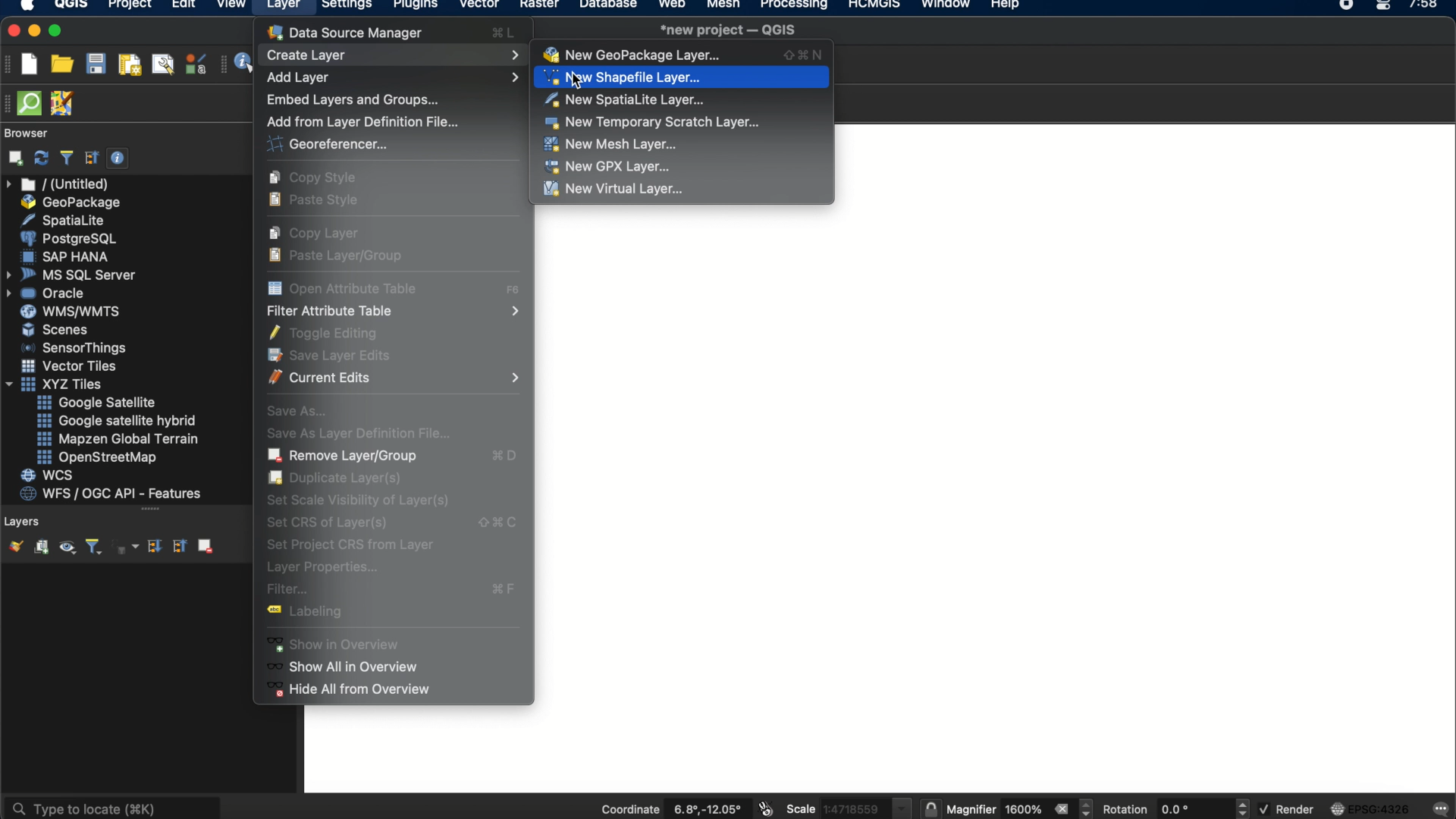  What do you see at coordinates (929, 807) in the screenshot?
I see `lock the scale to use the magnifier` at bounding box center [929, 807].